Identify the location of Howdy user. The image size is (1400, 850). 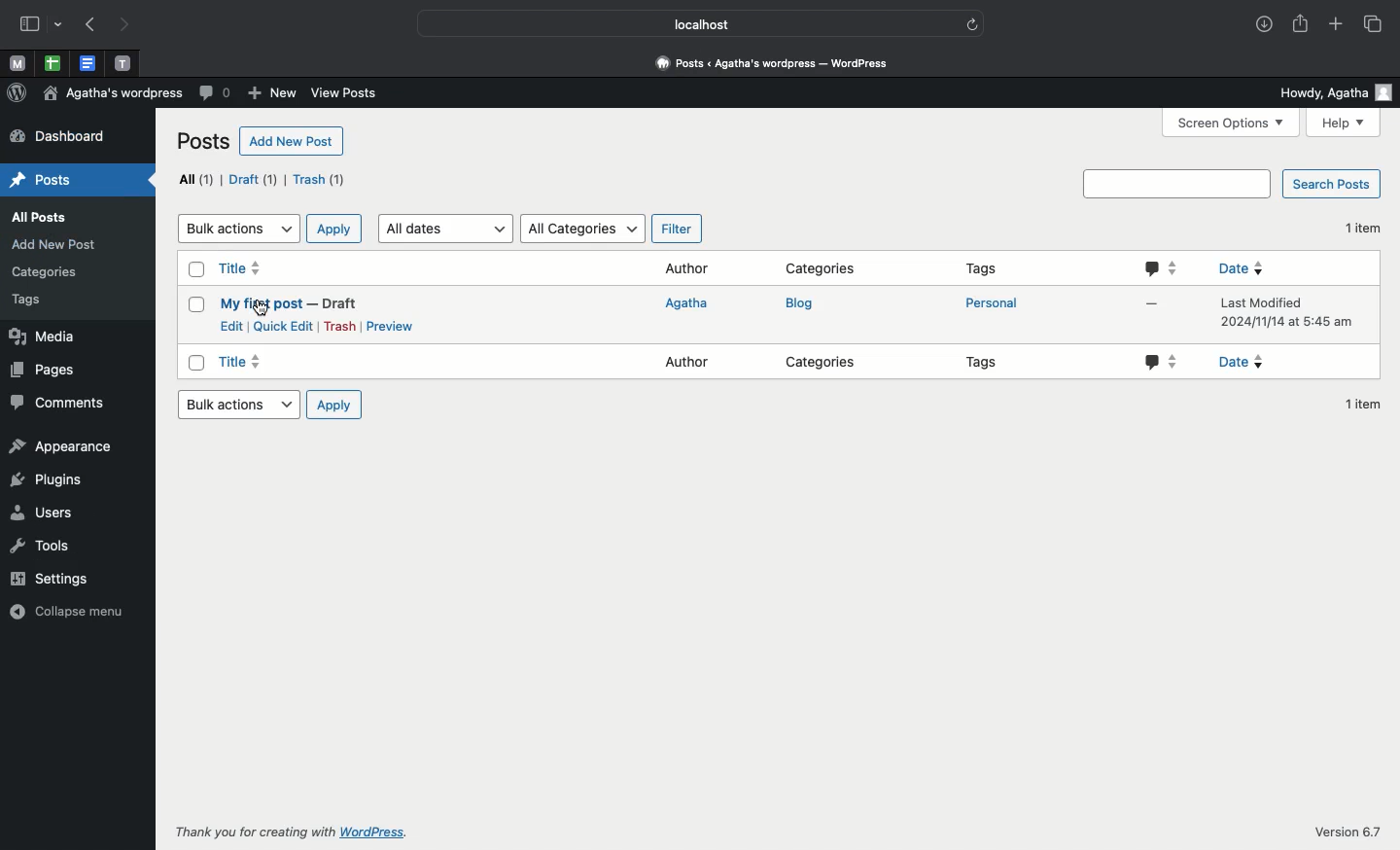
(1337, 93).